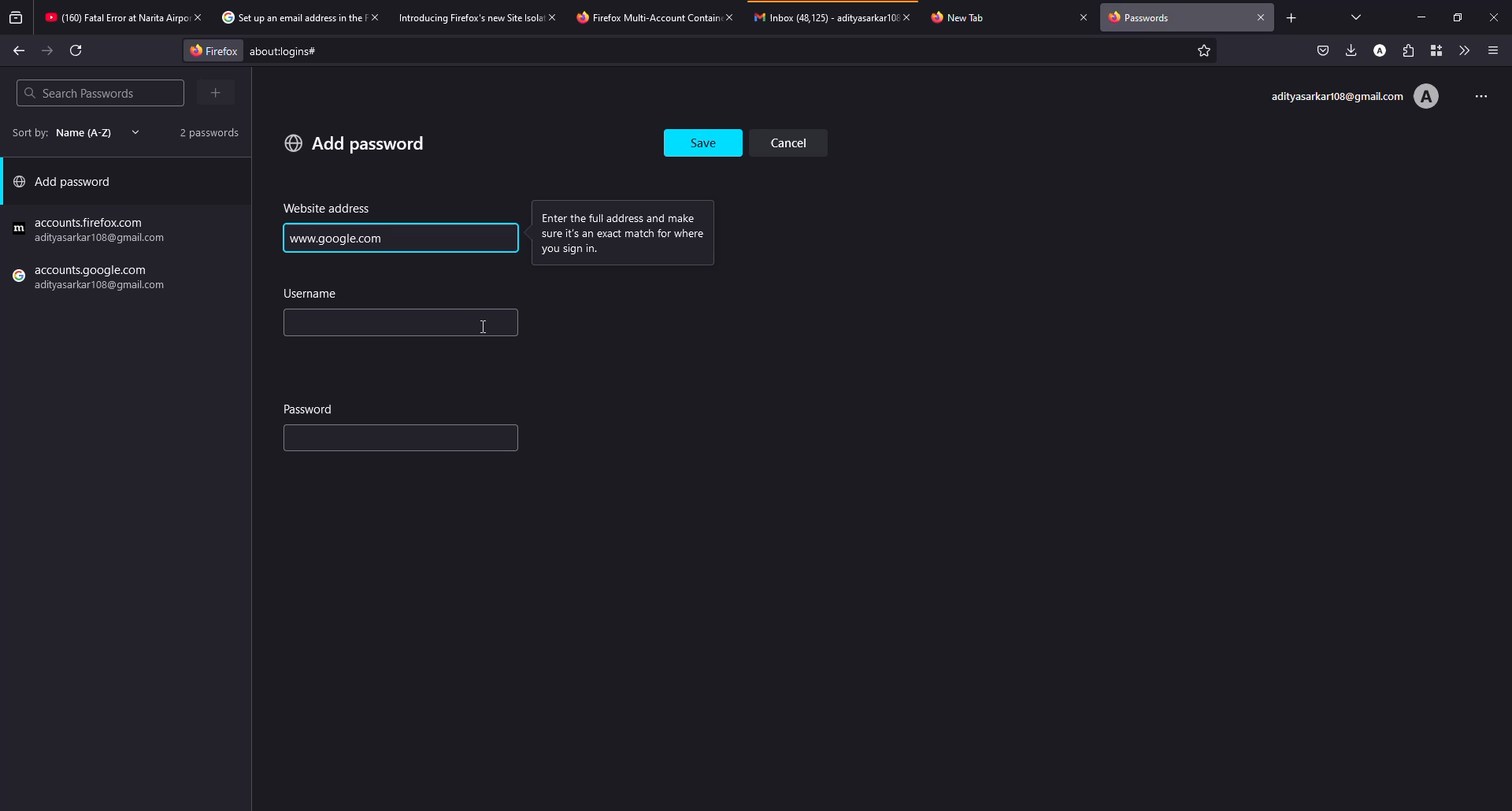 The image size is (1512, 811). Describe the element at coordinates (1493, 50) in the screenshot. I see `menu` at that location.